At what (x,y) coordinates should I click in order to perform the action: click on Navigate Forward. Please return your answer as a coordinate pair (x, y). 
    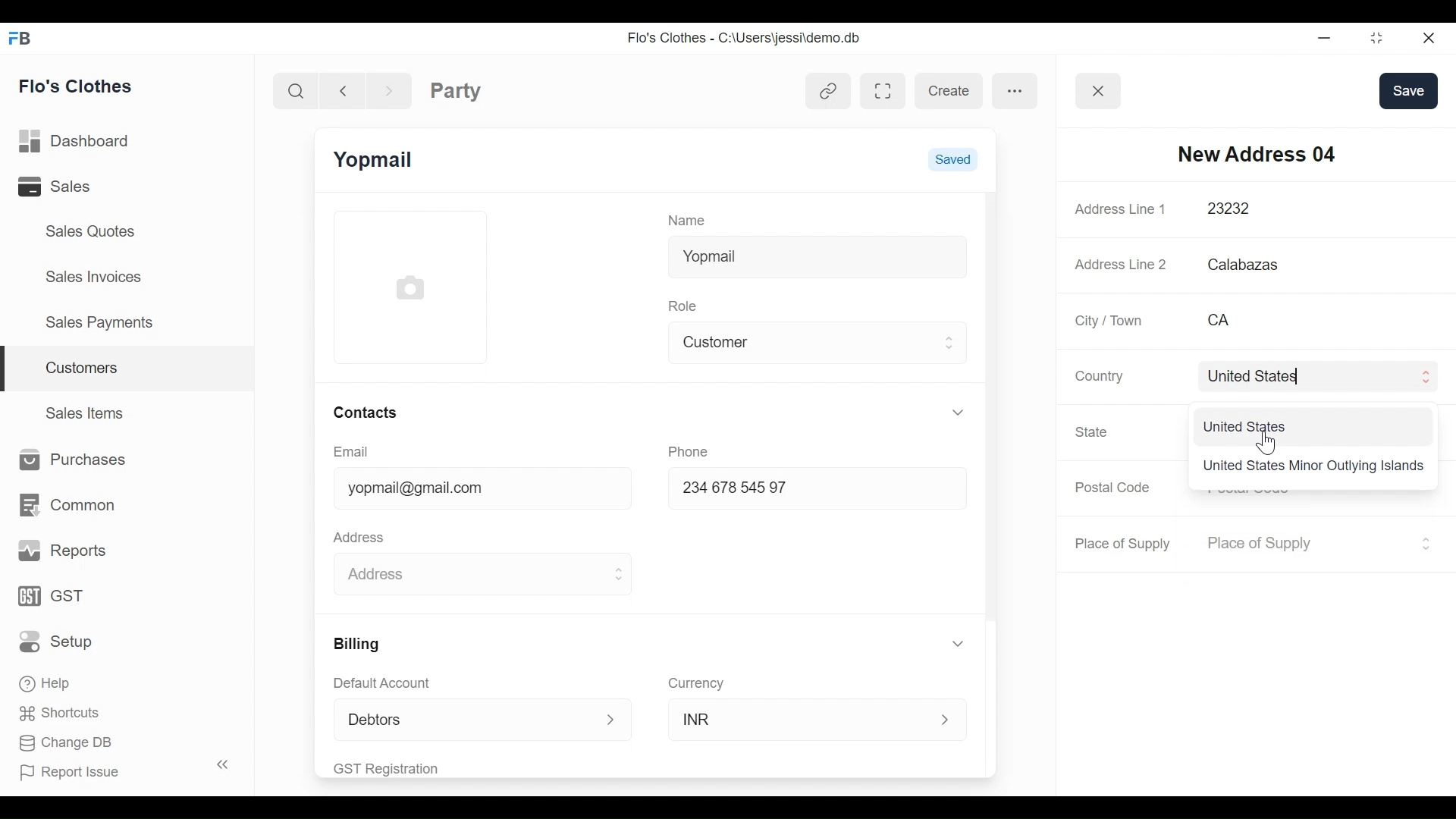
    Looking at the image, I should click on (389, 89).